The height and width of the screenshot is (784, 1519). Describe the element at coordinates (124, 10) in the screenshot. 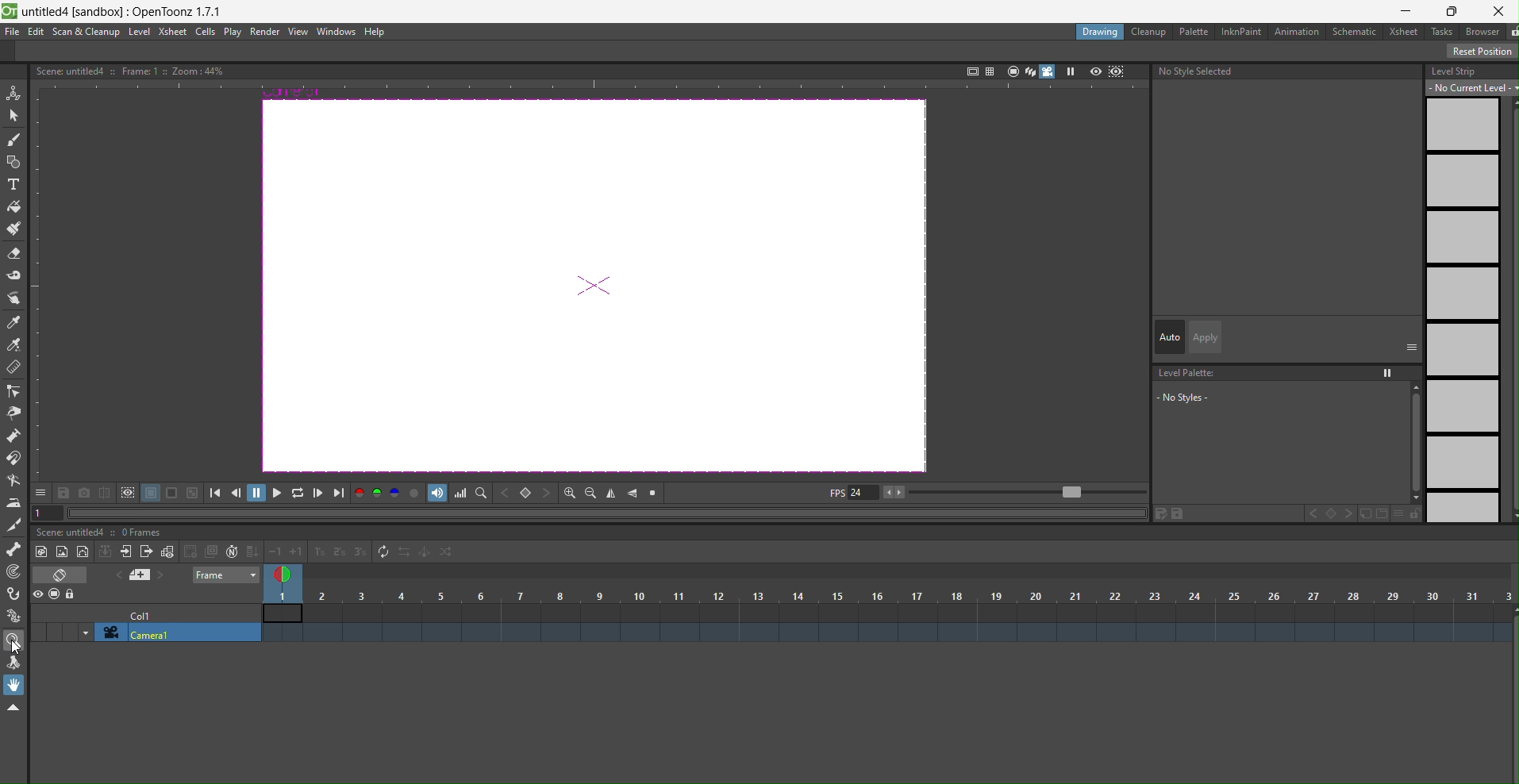

I see `file name` at that location.